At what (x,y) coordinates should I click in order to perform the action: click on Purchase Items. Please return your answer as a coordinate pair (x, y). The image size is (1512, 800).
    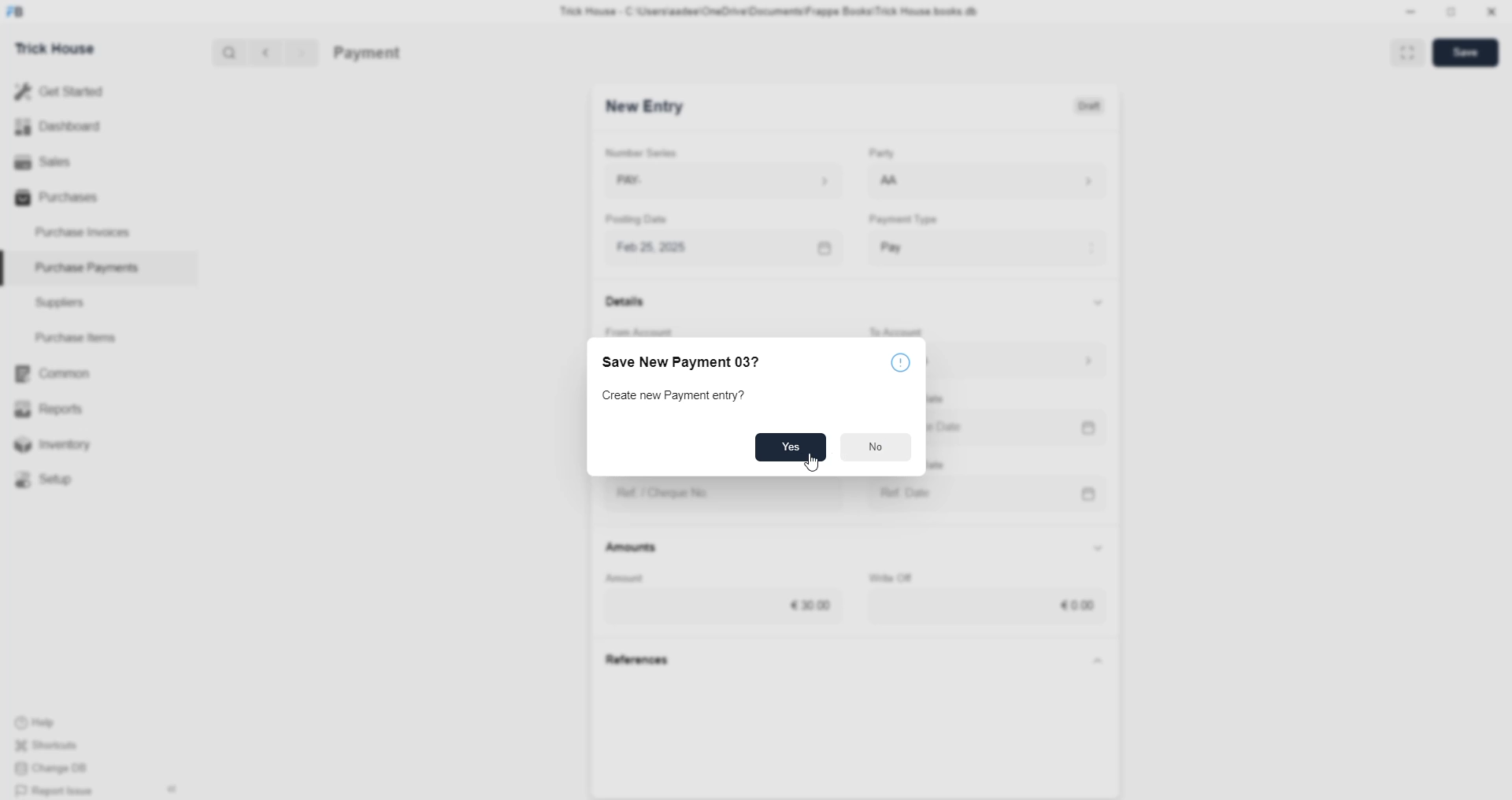
    Looking at the image, I should click on (80, 335).